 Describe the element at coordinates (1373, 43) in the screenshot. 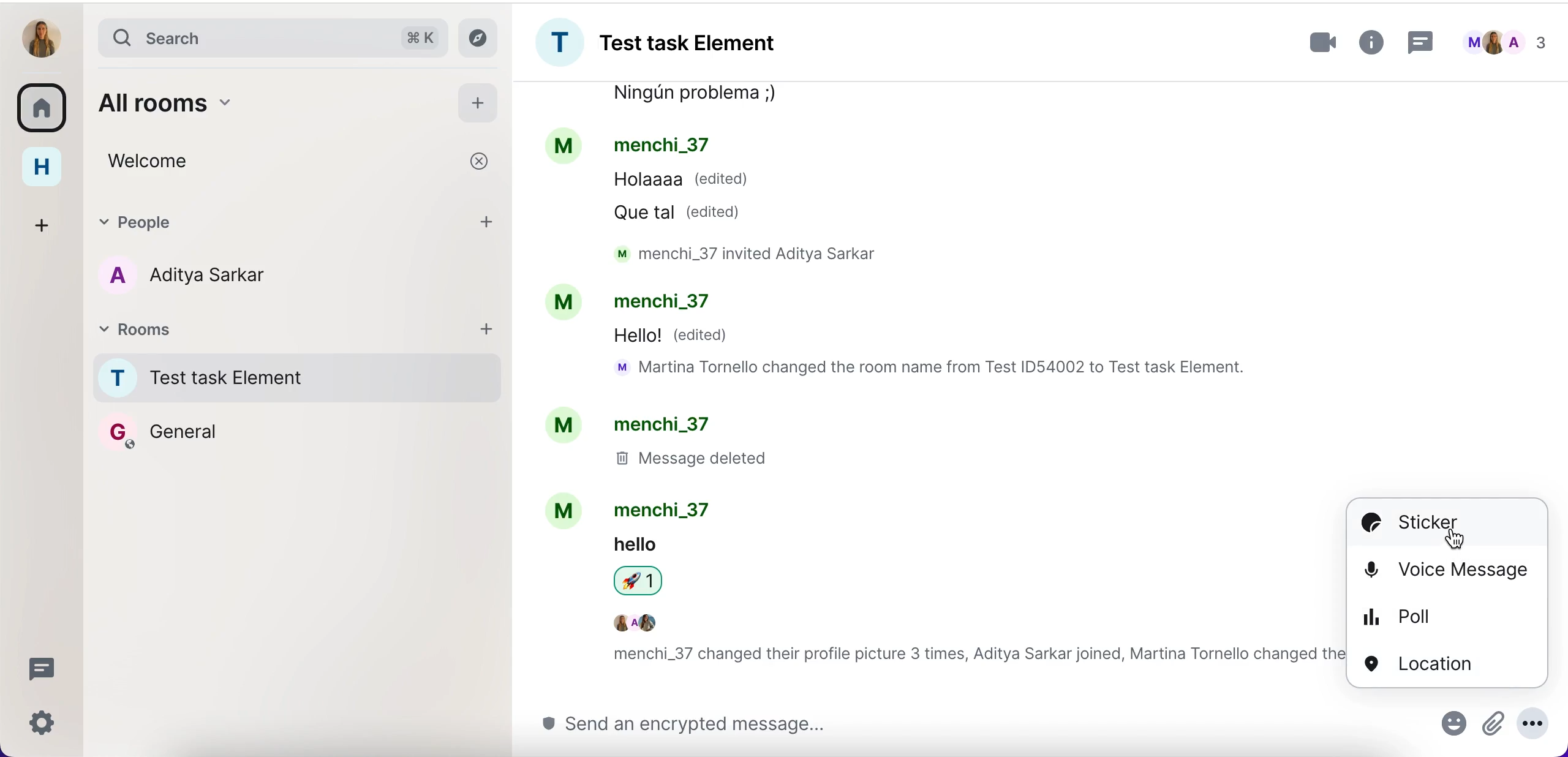

I see `more information` at that location.